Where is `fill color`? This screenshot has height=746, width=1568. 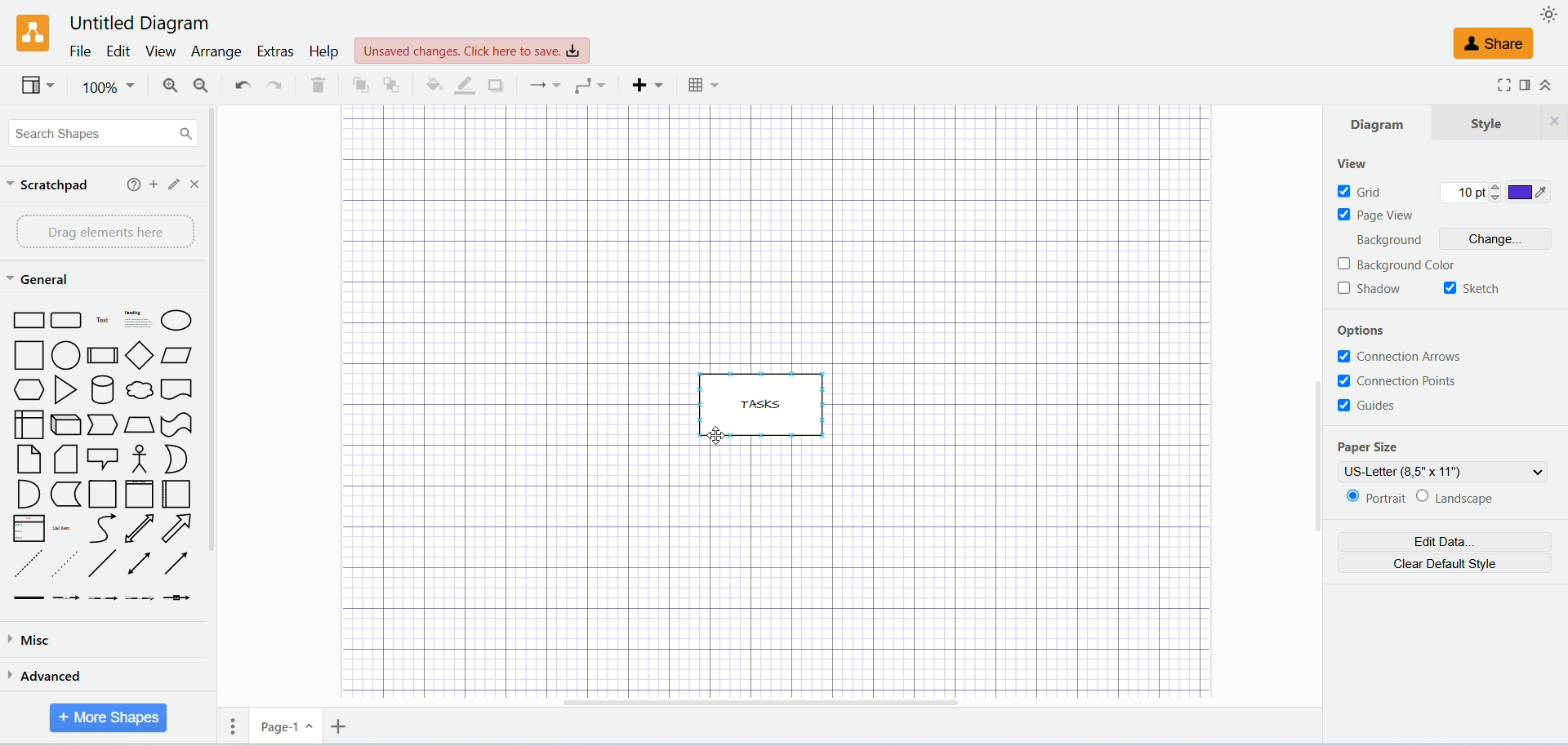 fill color is located at coordinates (426, 84).